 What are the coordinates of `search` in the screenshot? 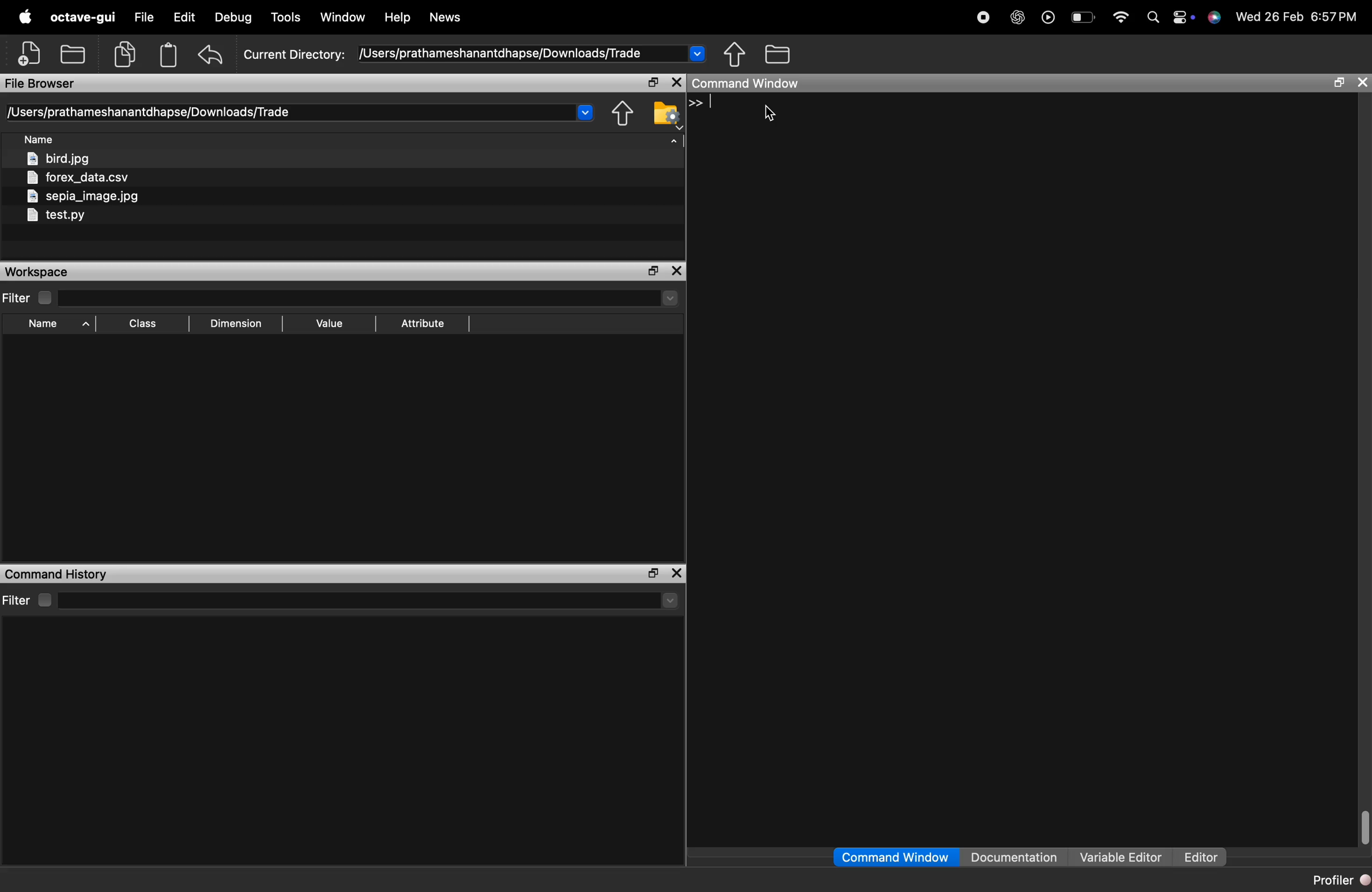 It's located at (1155, 18).